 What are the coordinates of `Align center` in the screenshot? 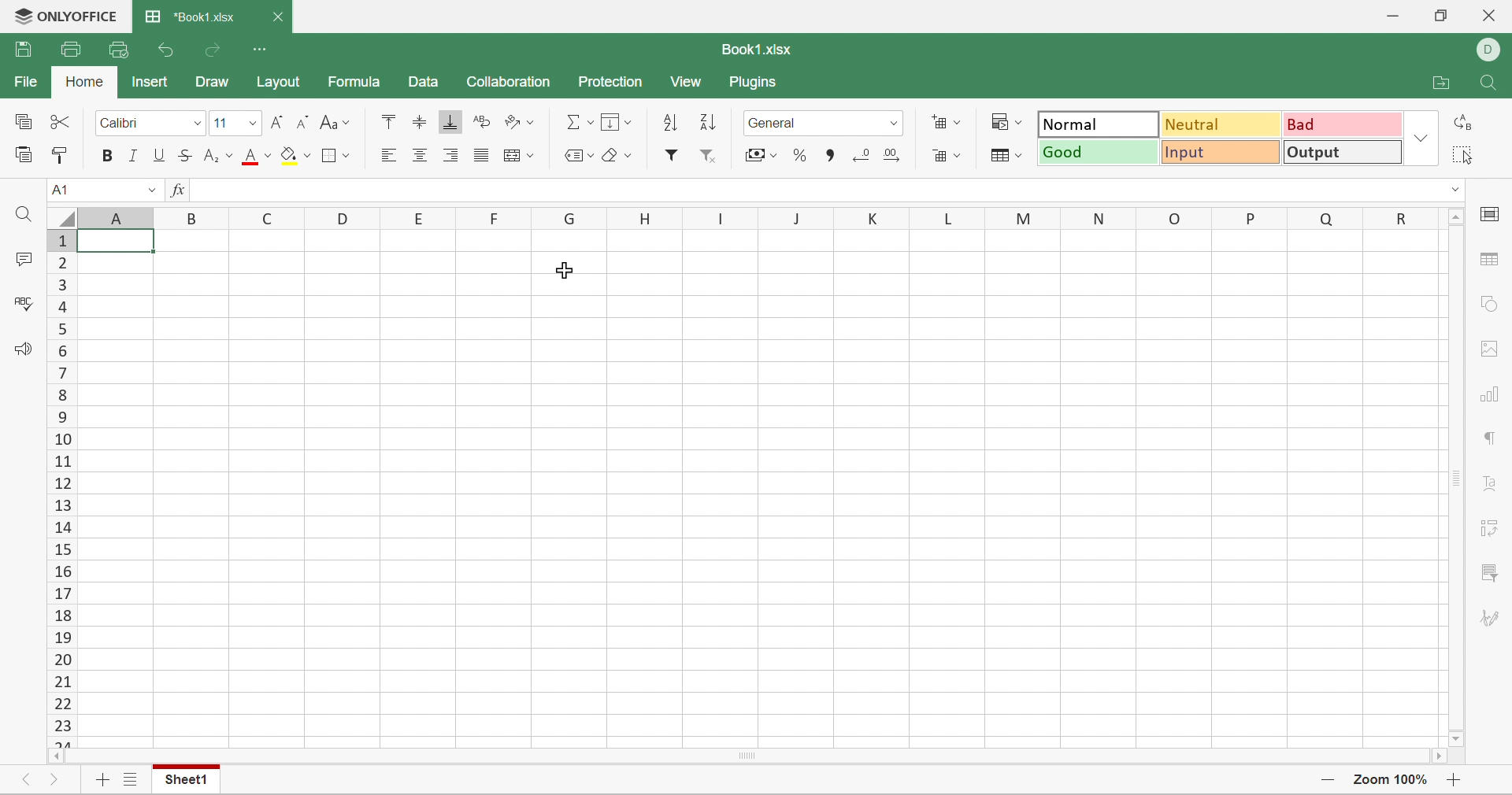 It's located at (420, 155).